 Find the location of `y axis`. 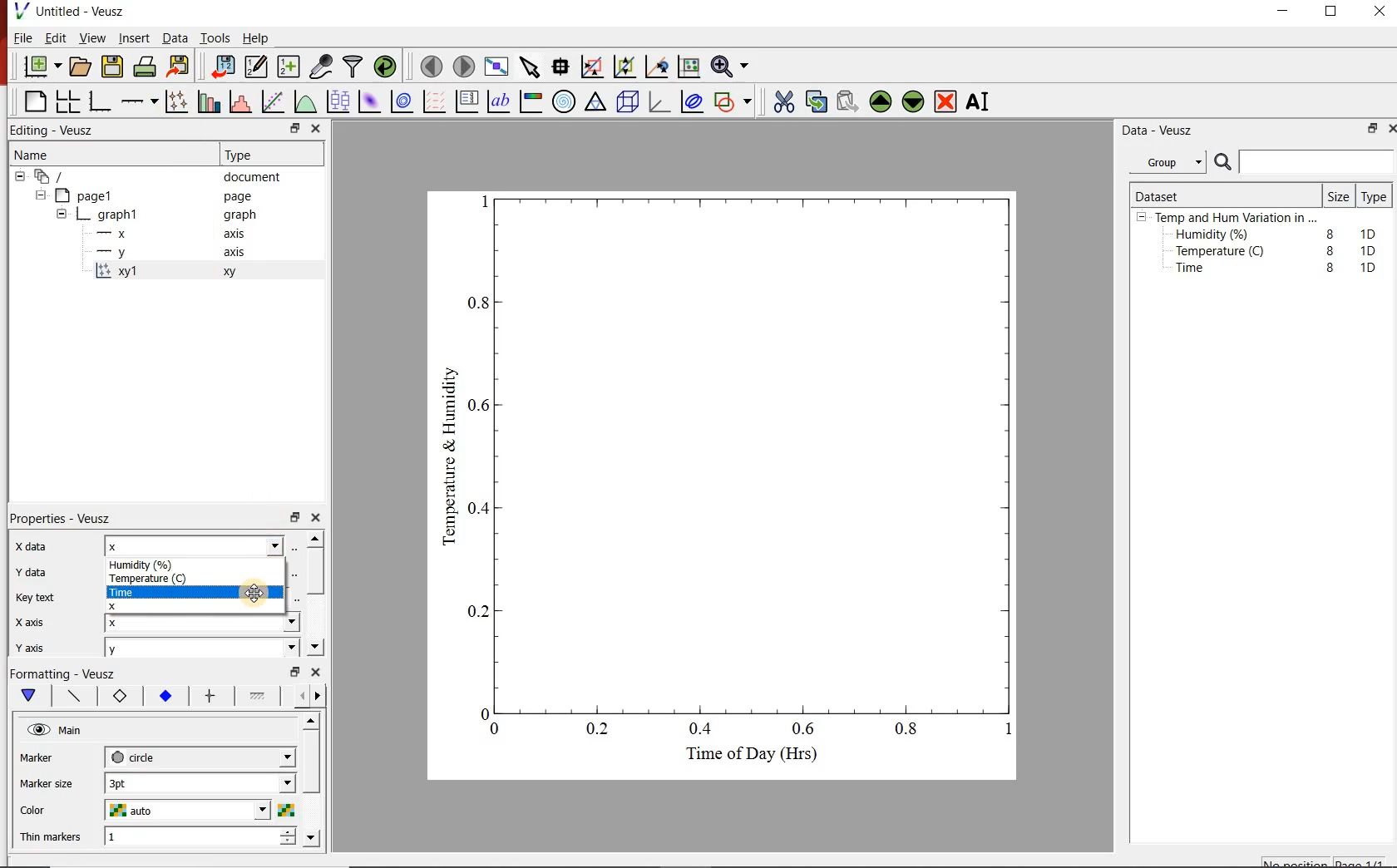

y axis is located at coordinates (42, 645).